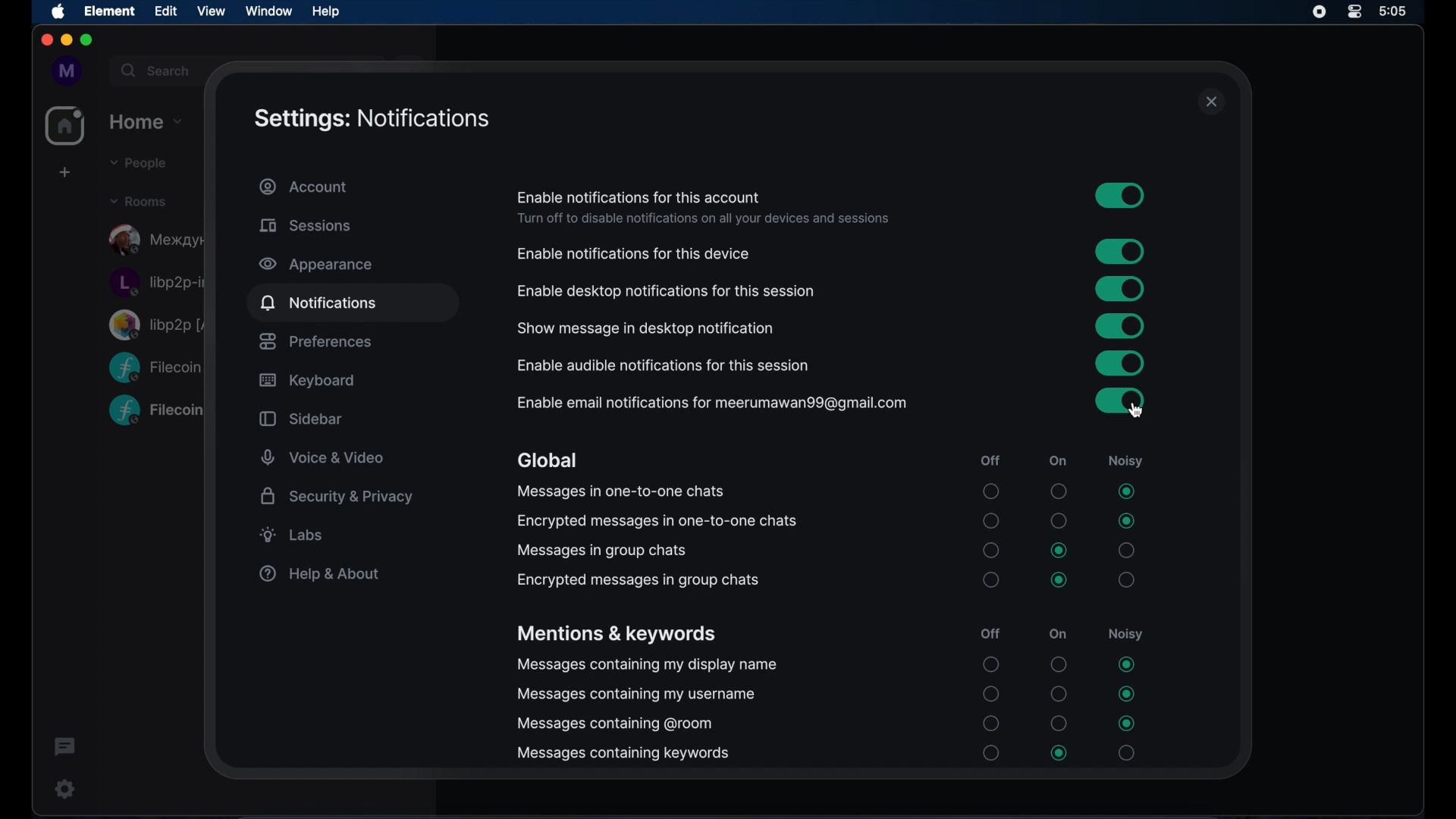 Image resolution: width=1456 pixels, height=819 pixels. What do you see at coordinates (306, 381) in the screenshot?
I see `keyboard` at bounding box center [306, 381].